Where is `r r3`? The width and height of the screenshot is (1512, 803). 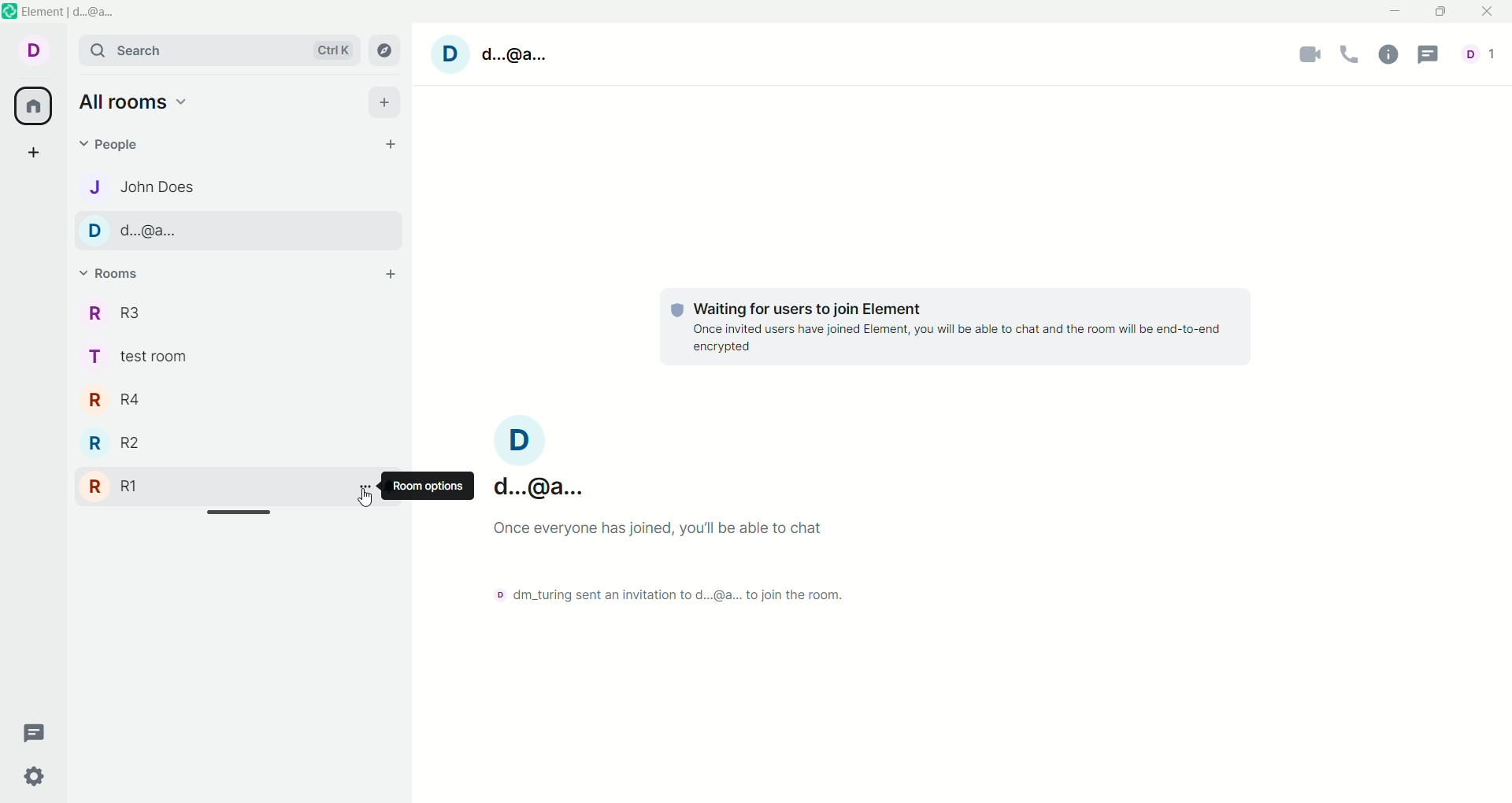
r r3 is located at coordinates (125, 314).